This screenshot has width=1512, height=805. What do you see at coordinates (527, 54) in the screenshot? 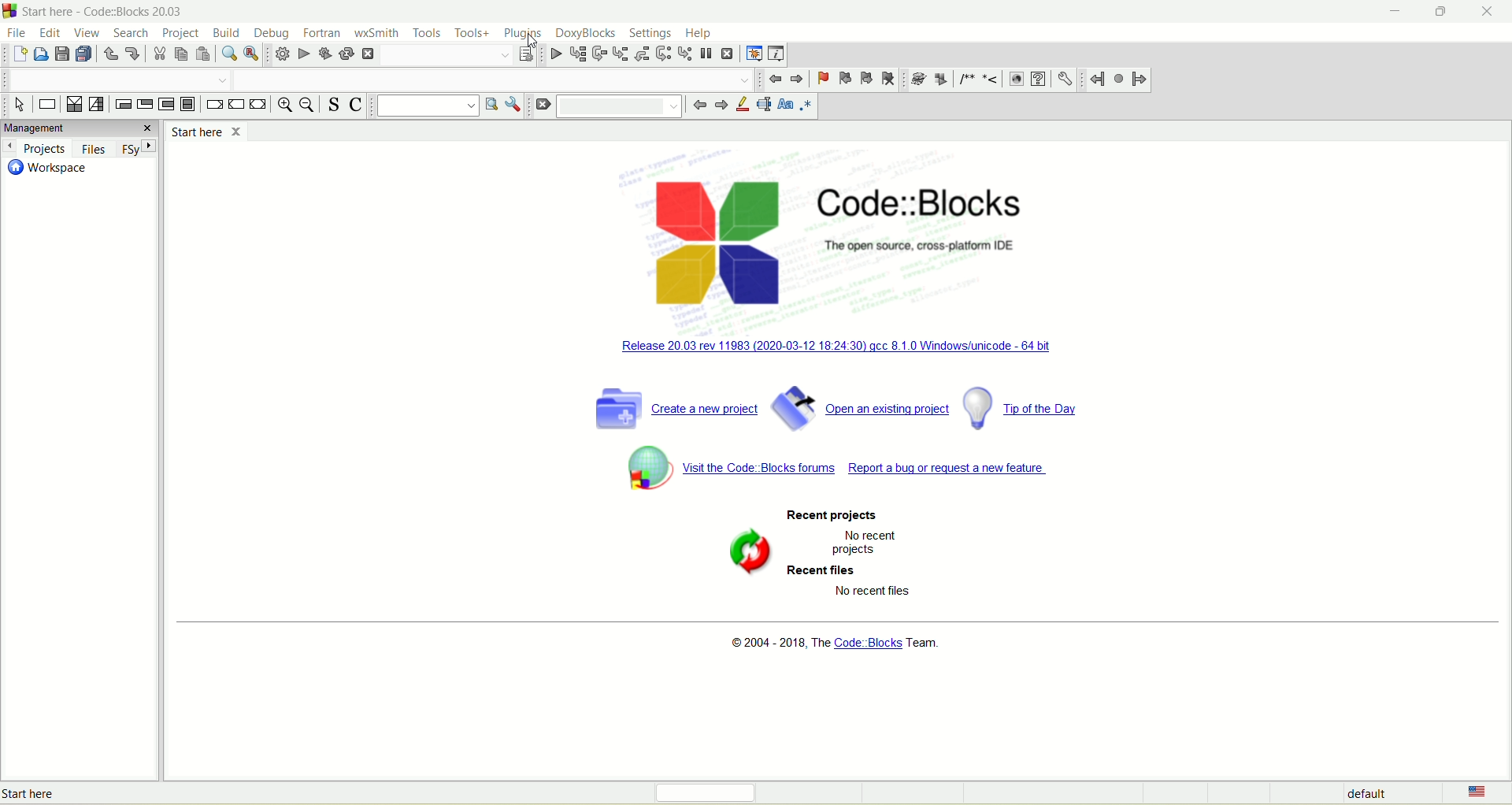
I see `select target dialog` at bounding box center [527, 54].